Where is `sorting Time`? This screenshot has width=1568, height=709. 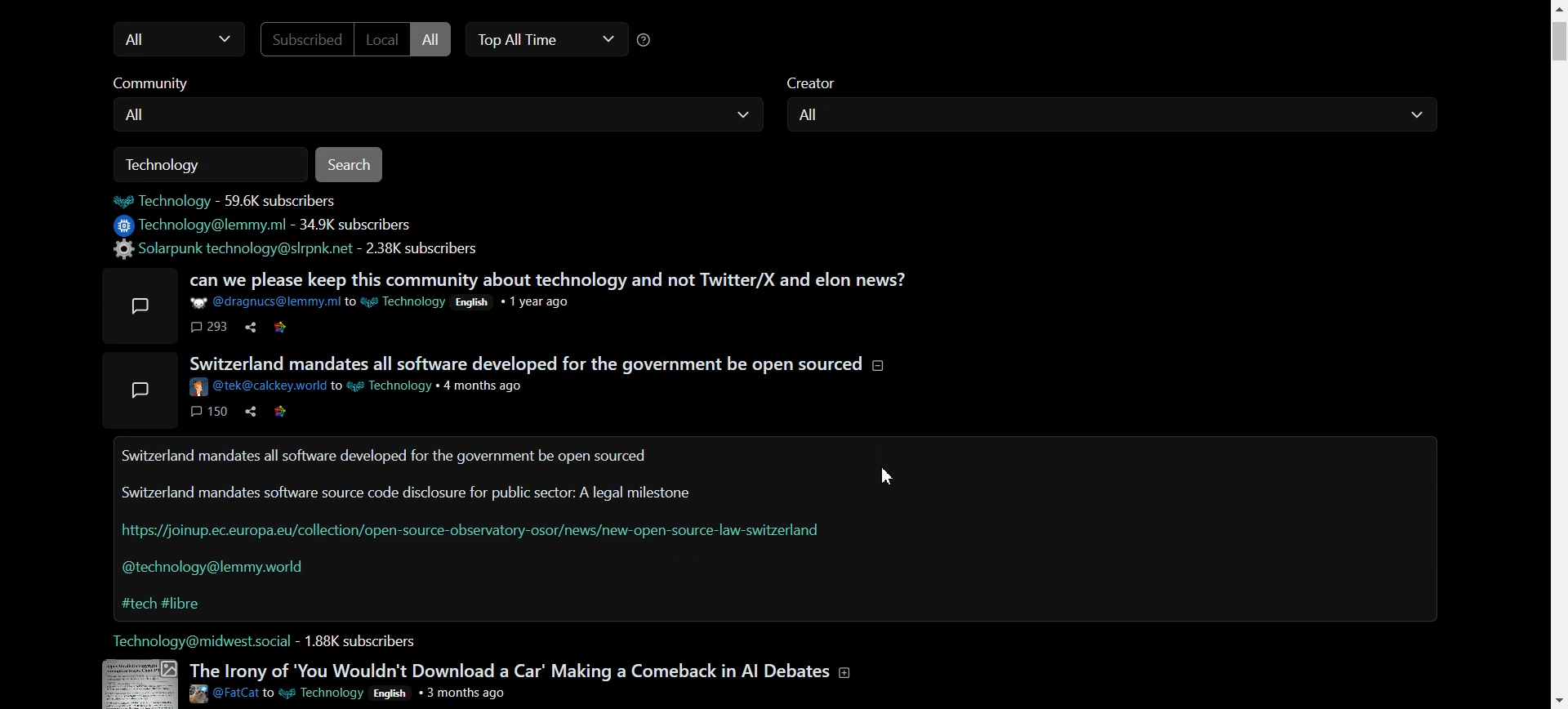
sorting Time is located at coordinates (649, 41).